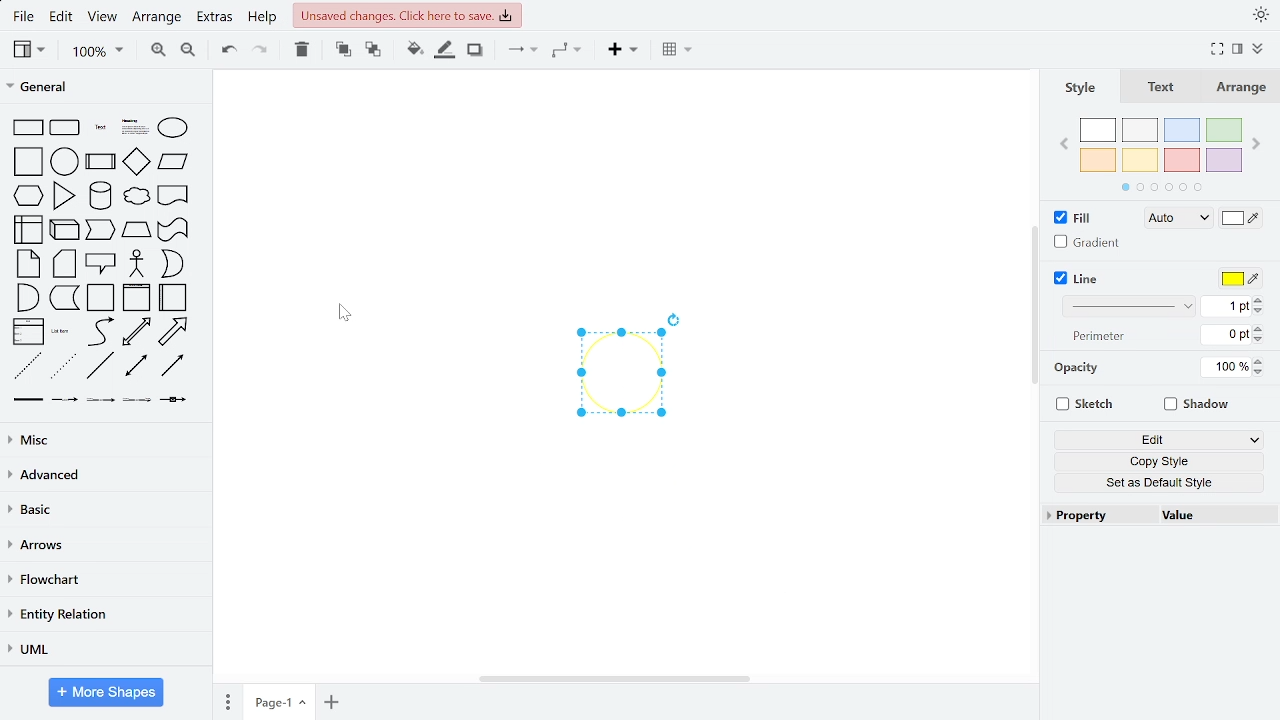 This screenshot has width=1280, height=720. Describe the element at coordinates (103, 19) in the screenshot. I see `view` at that location.